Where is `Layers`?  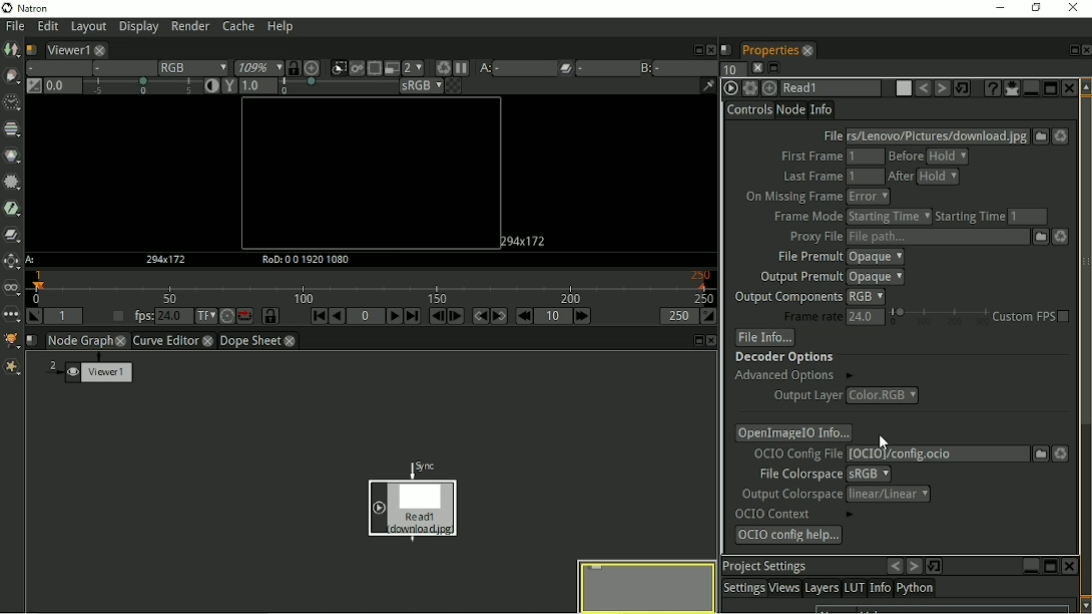
Layers is located at coordinates (822, 586).